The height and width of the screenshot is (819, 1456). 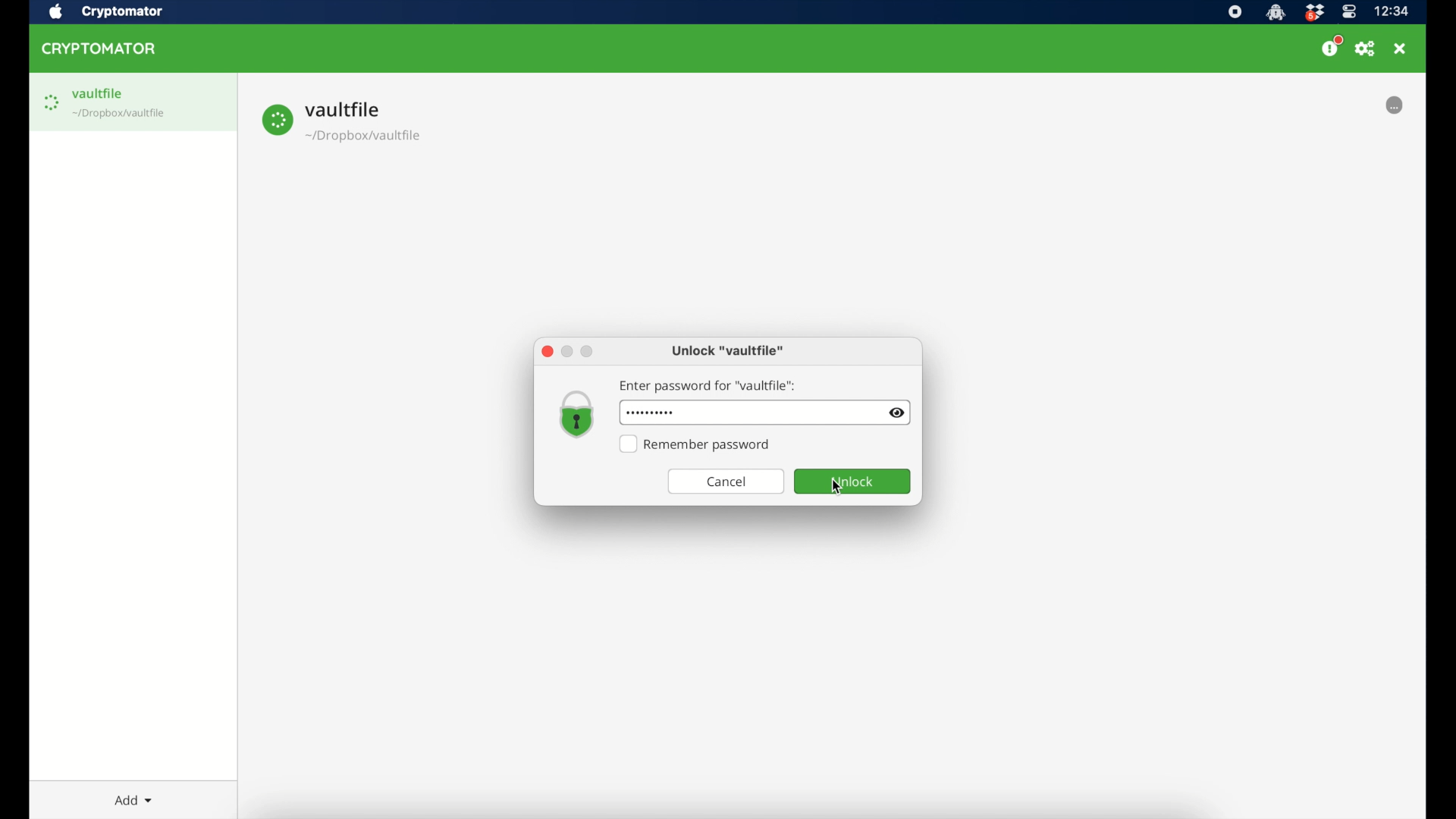 What do you see at coordinates (546, 353) in the screenshot?
I see `close` at bounding box center [546, 353].